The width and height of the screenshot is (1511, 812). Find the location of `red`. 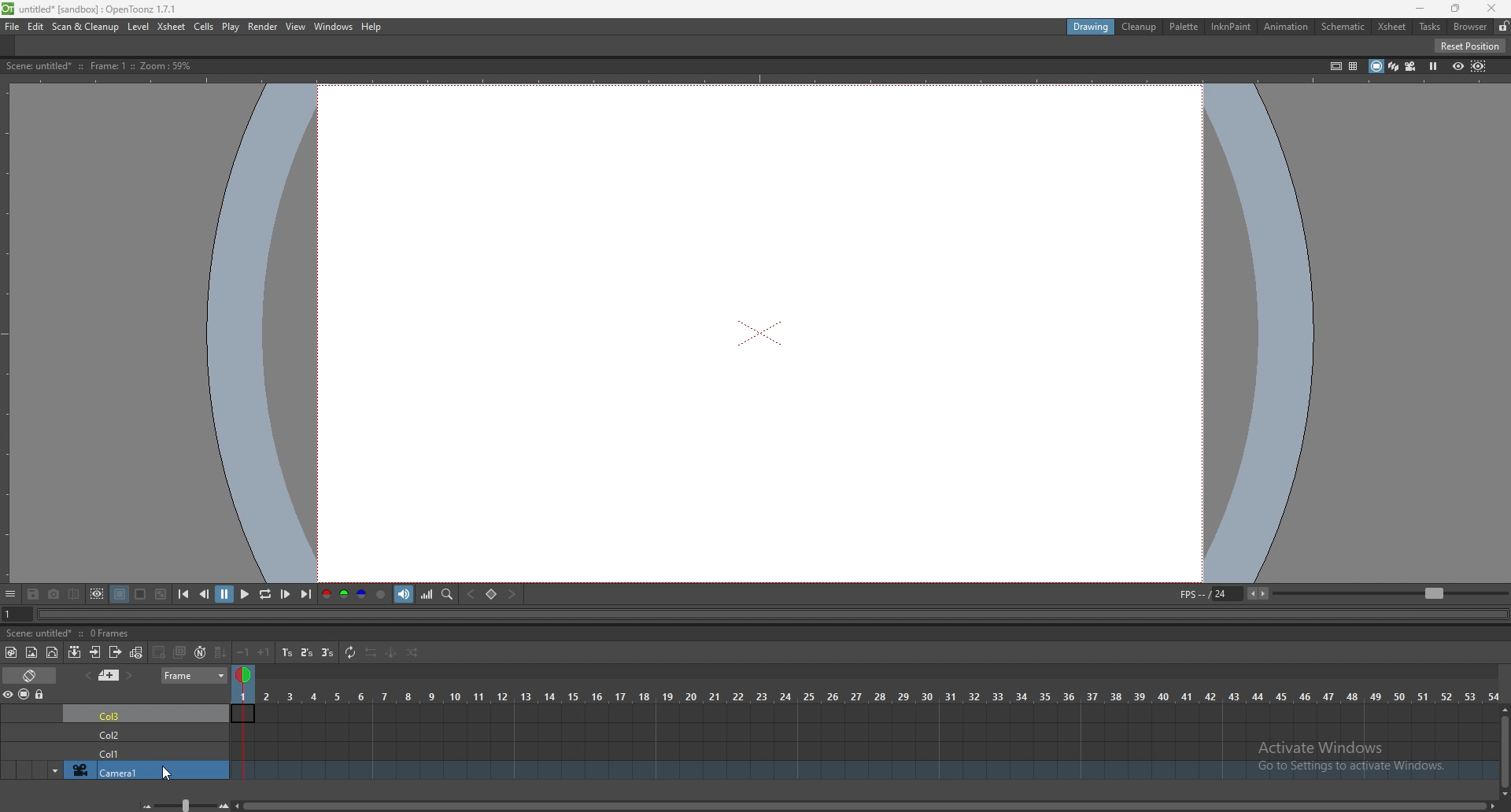

red is located at coordinates (326, 593).